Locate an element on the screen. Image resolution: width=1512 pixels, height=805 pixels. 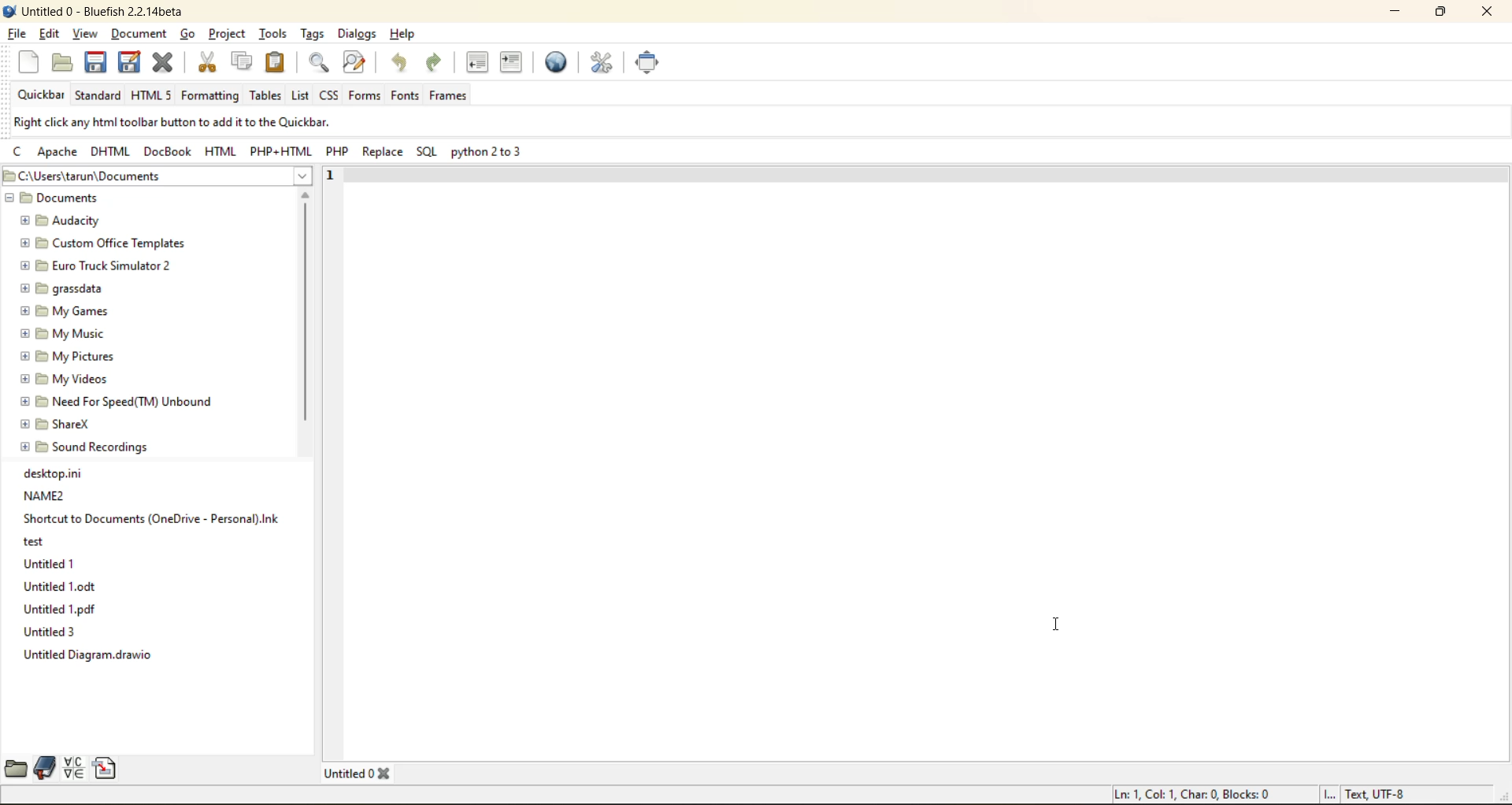
find and replace is located at coordinates (355, 63).